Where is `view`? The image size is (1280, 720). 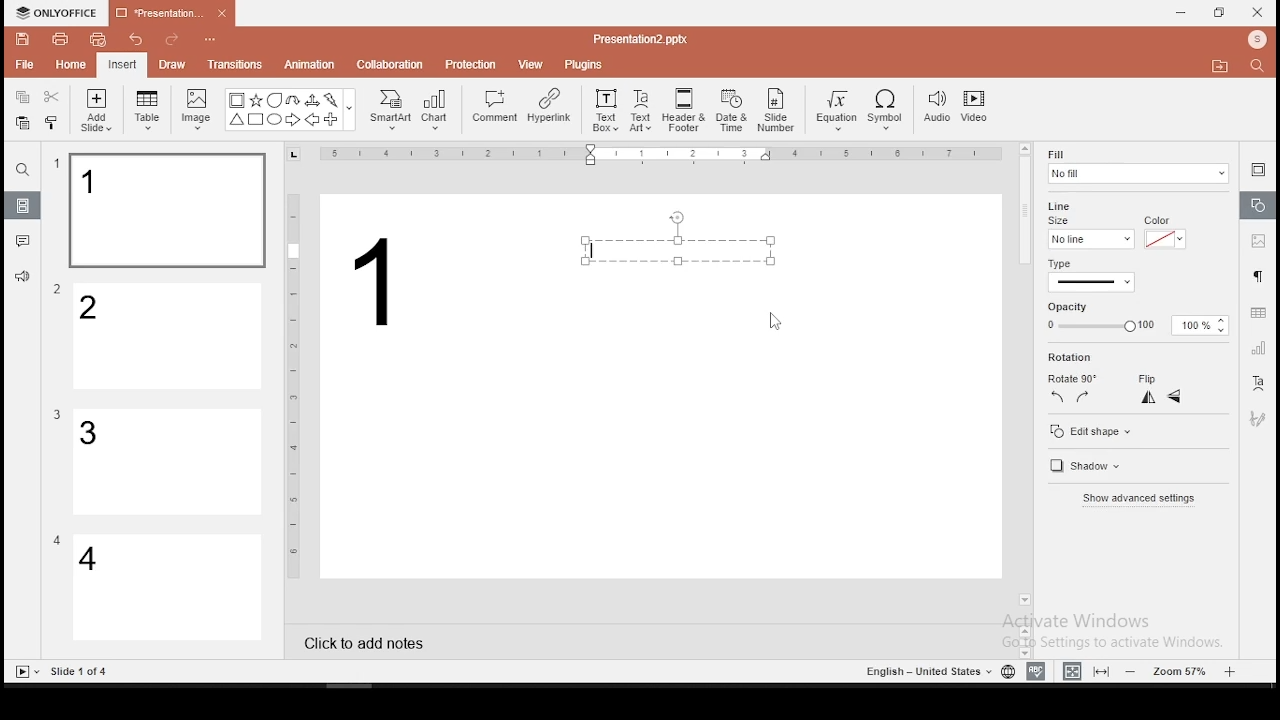
view is located at coordinates (532, 63).